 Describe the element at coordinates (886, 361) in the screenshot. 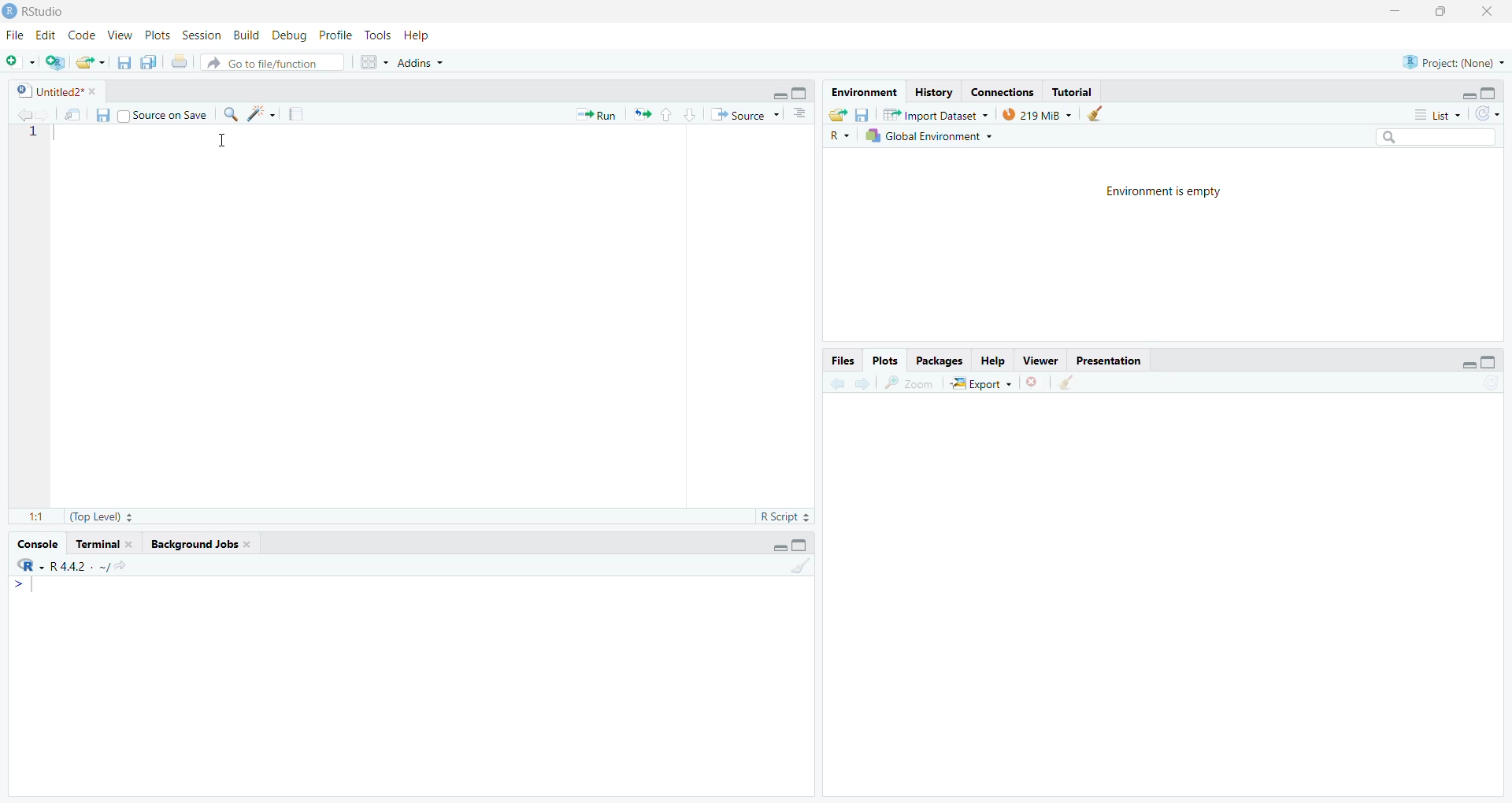

I see `Plots` at that location.